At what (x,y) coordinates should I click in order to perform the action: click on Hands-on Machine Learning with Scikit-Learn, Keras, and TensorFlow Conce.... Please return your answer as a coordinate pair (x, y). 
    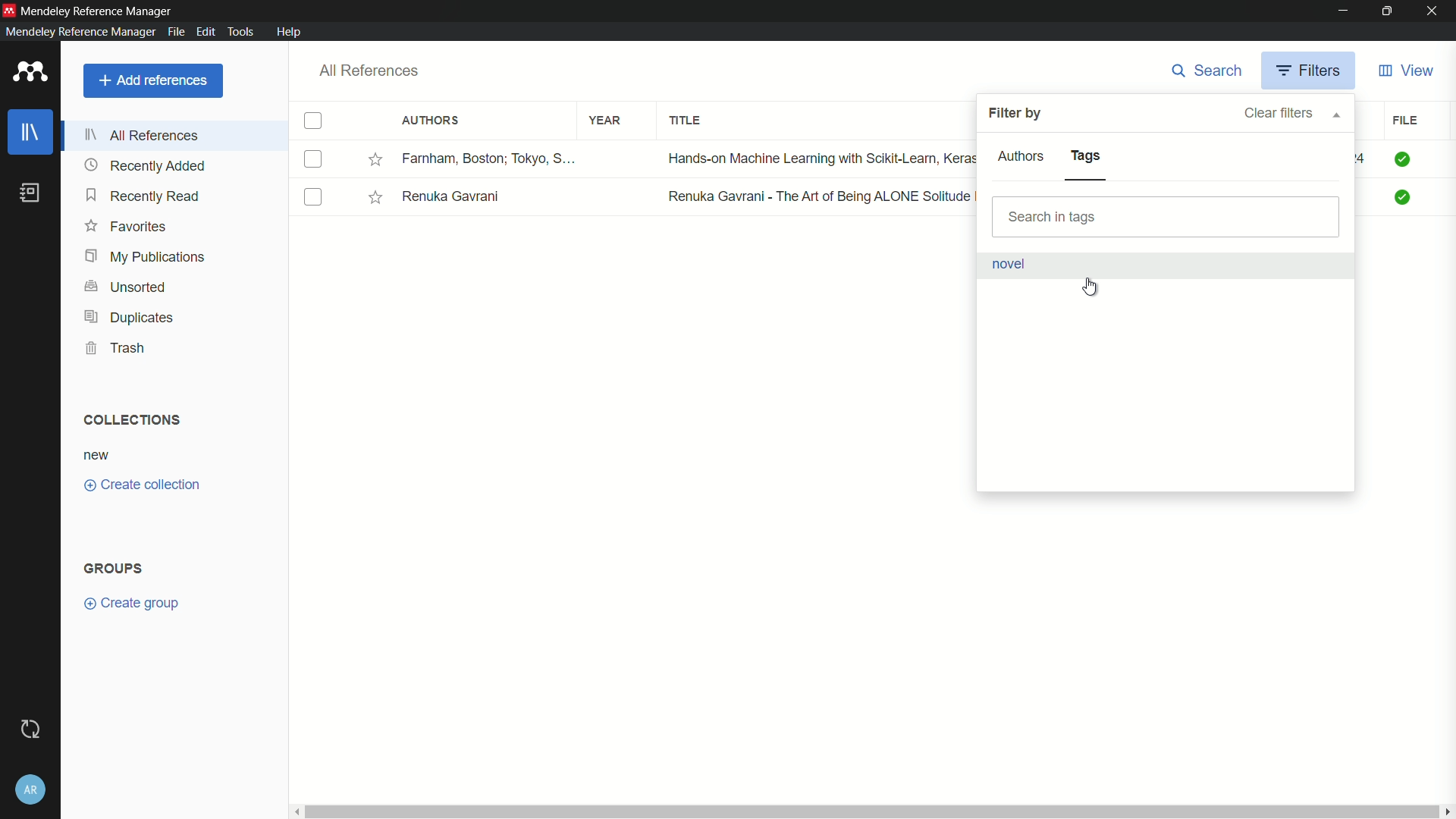
    Looking at the image, I should click on (817, 158).